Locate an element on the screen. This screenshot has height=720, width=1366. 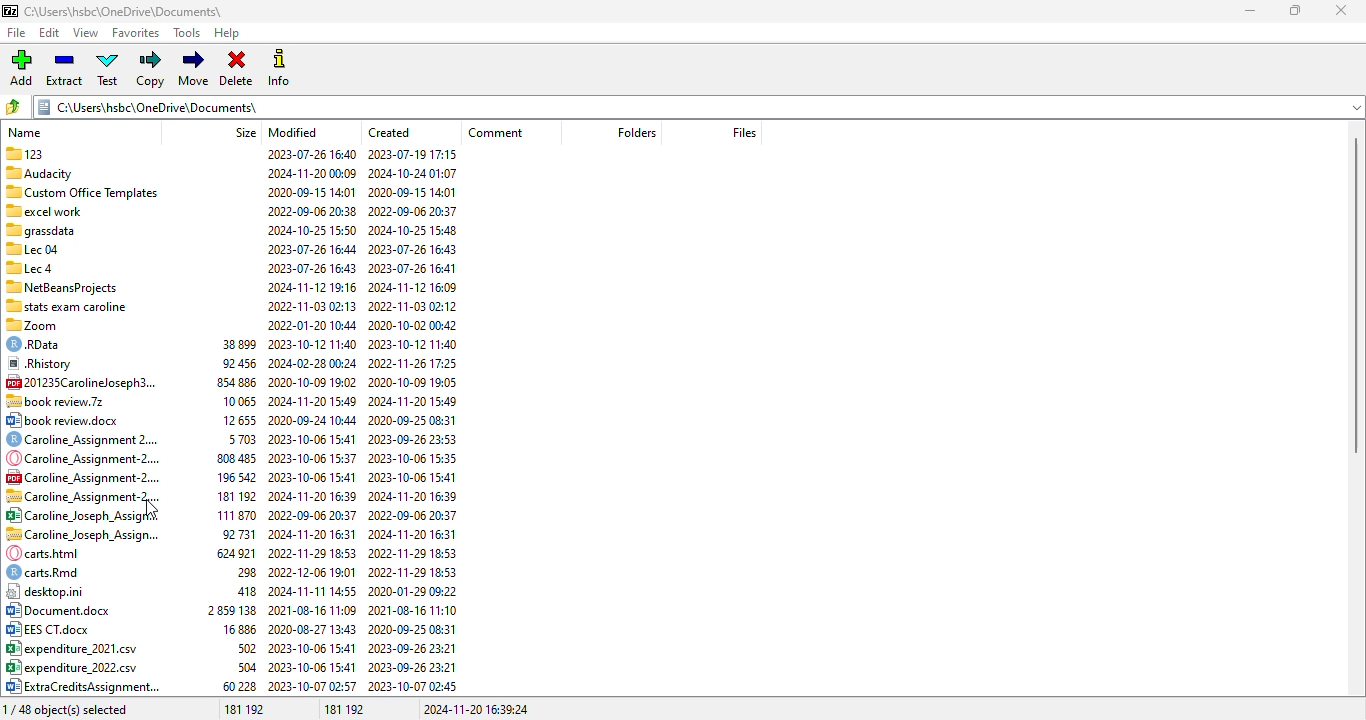
181 192 is located at coordinates (345, 709).